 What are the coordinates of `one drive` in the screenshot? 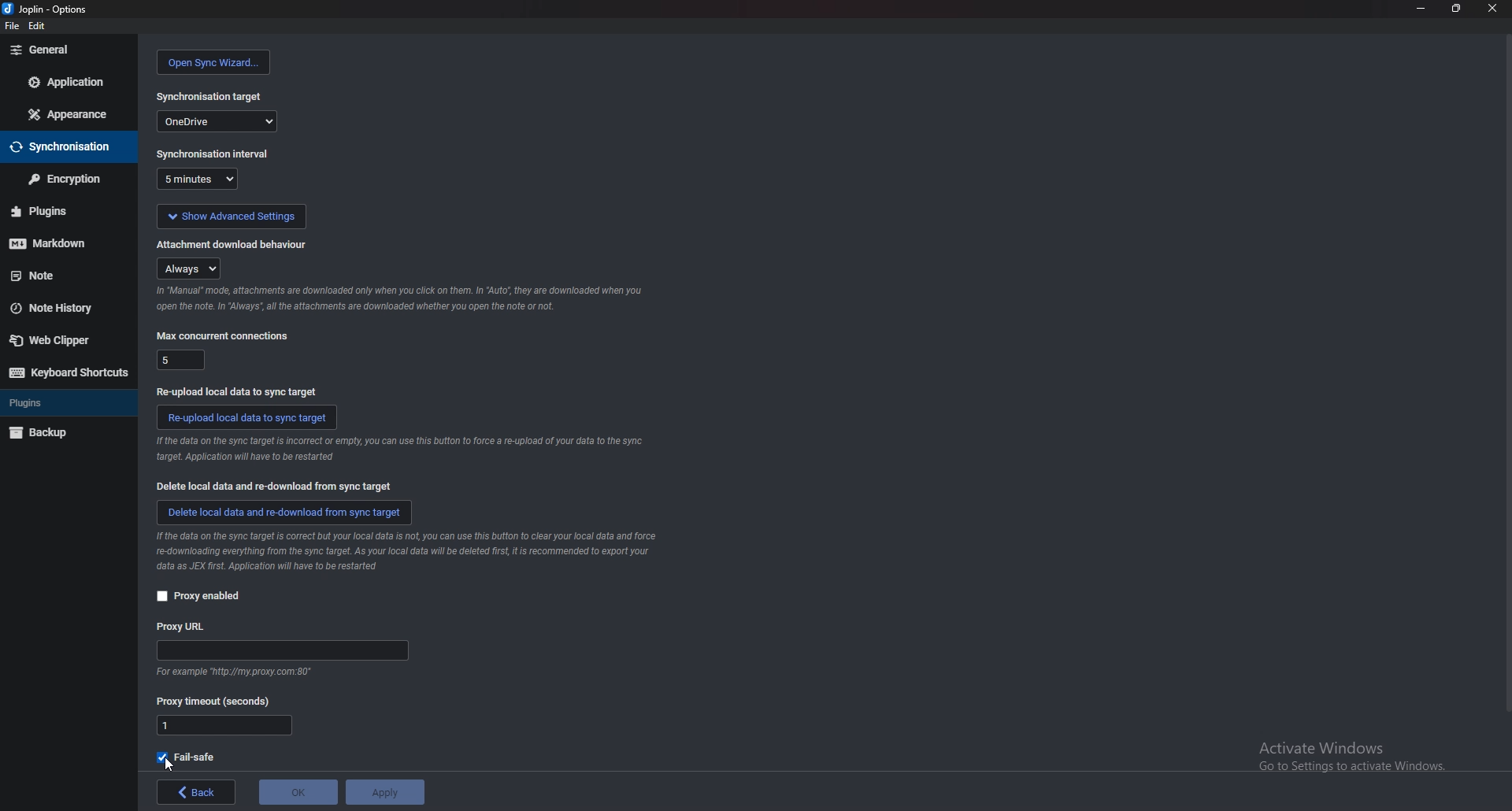 It's located at (218, 121).